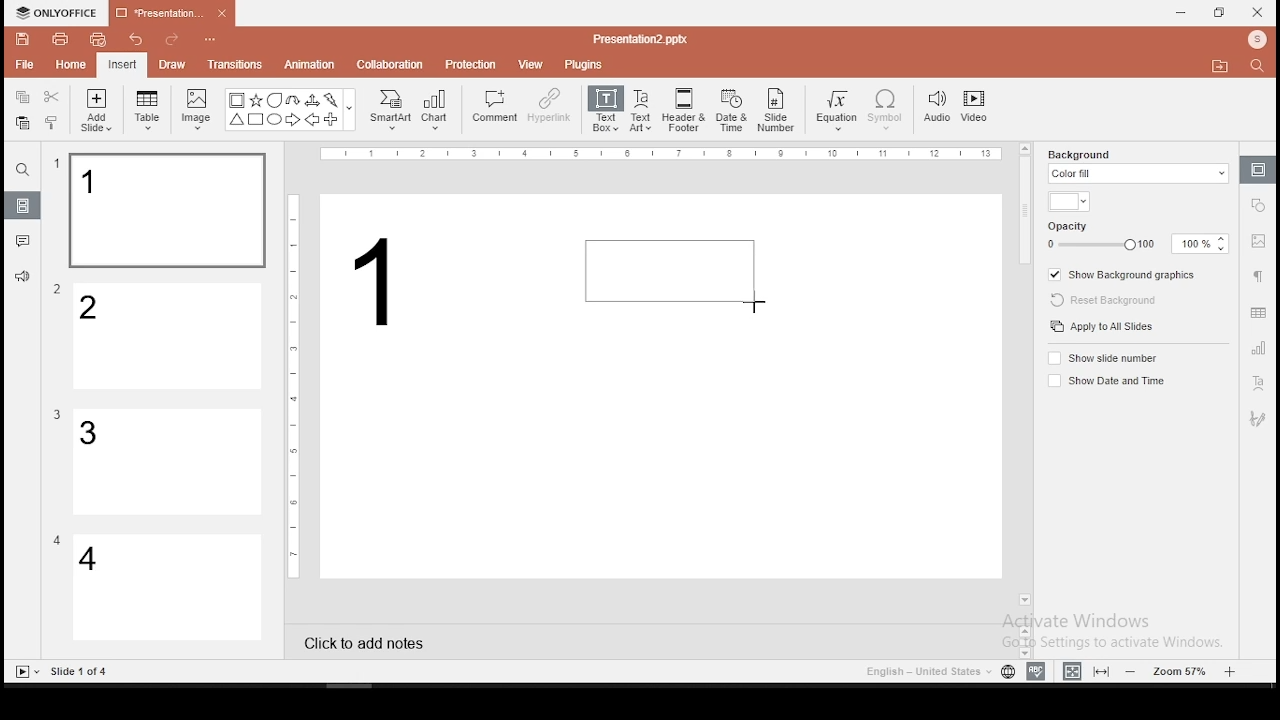 The width and height of the screenshot is (1280, 720). I want to click on , so click(294, 384).